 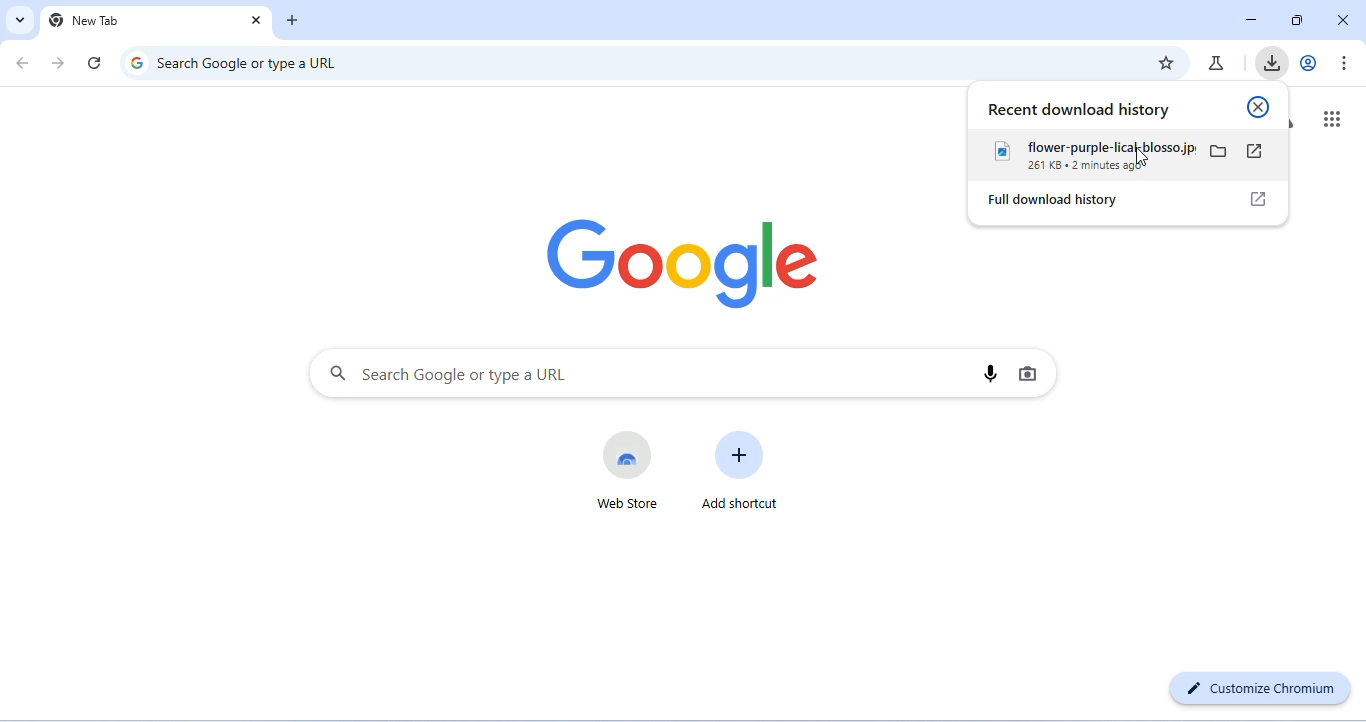 I want to click on account, so click(x=1310, y=61).